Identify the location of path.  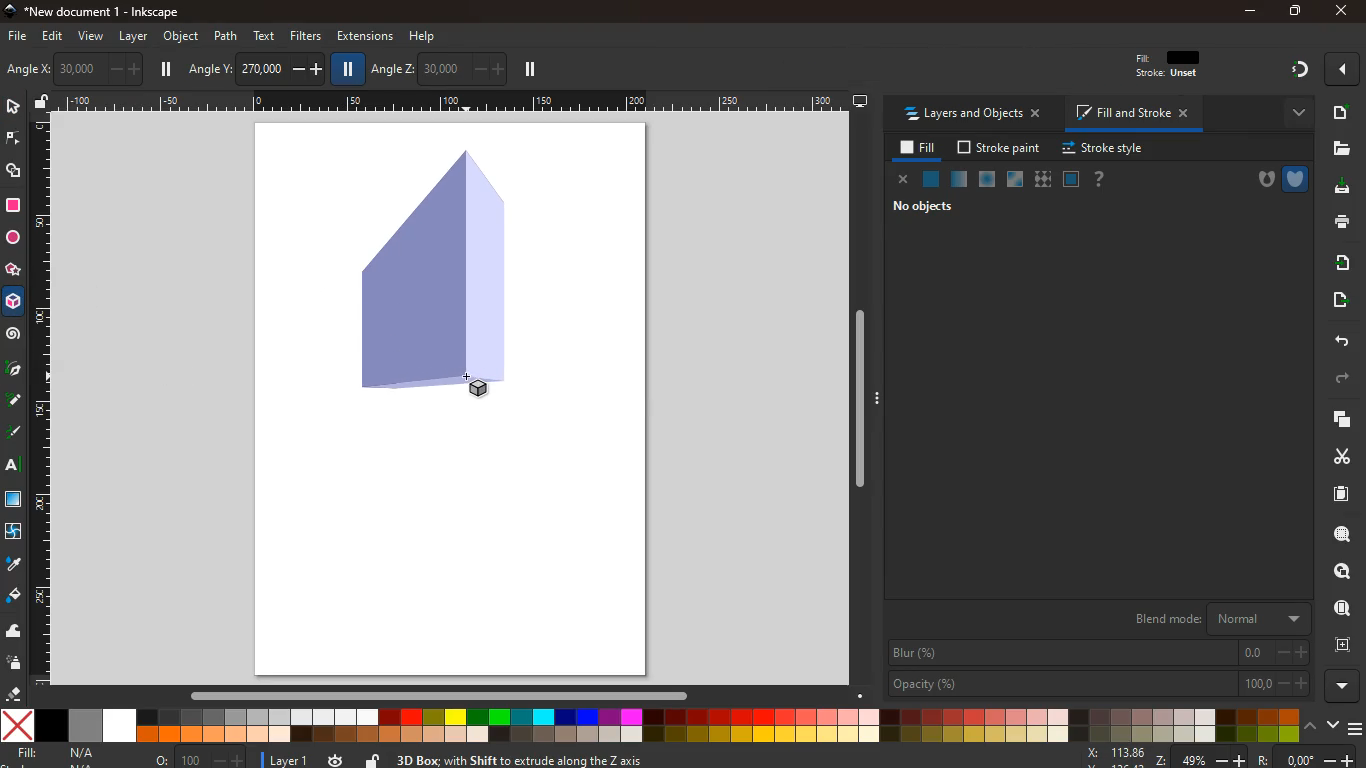
(226, 35).